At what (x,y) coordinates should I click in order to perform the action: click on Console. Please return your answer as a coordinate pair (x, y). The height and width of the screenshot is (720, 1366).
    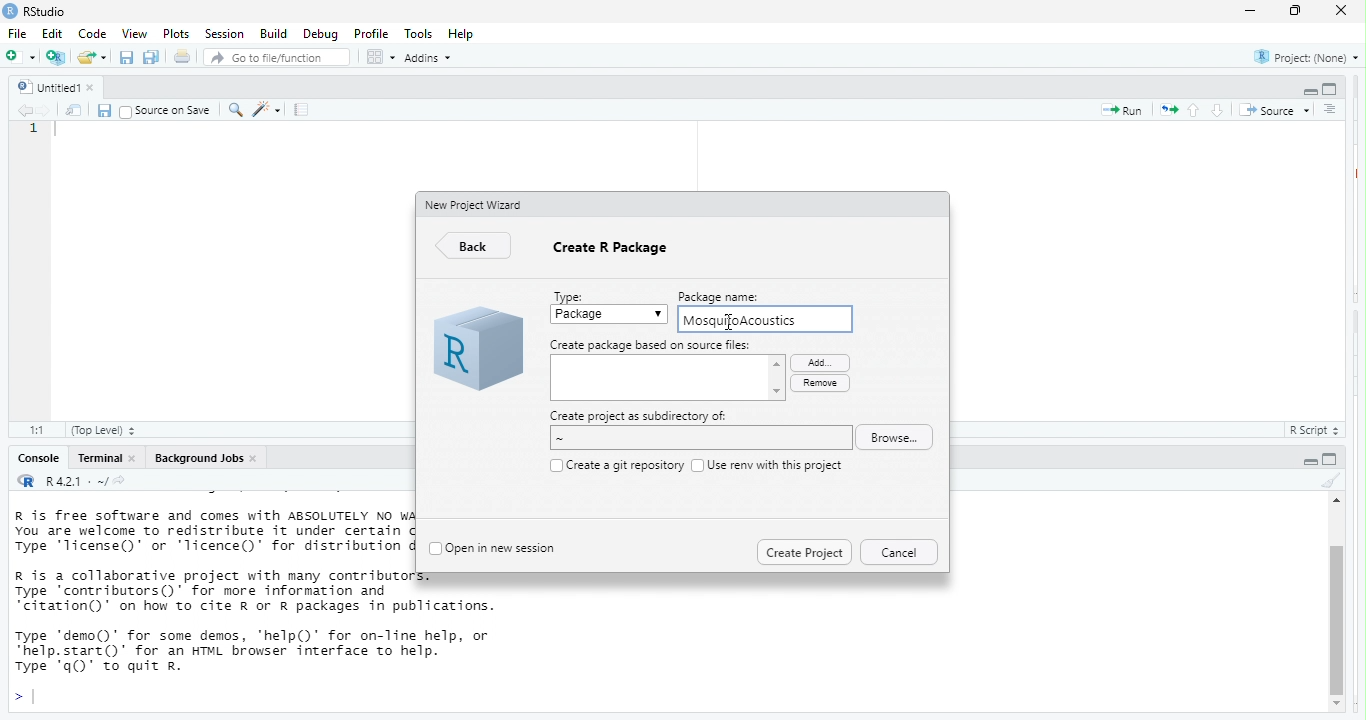
    Looking at the image, I should click on (35, 459).